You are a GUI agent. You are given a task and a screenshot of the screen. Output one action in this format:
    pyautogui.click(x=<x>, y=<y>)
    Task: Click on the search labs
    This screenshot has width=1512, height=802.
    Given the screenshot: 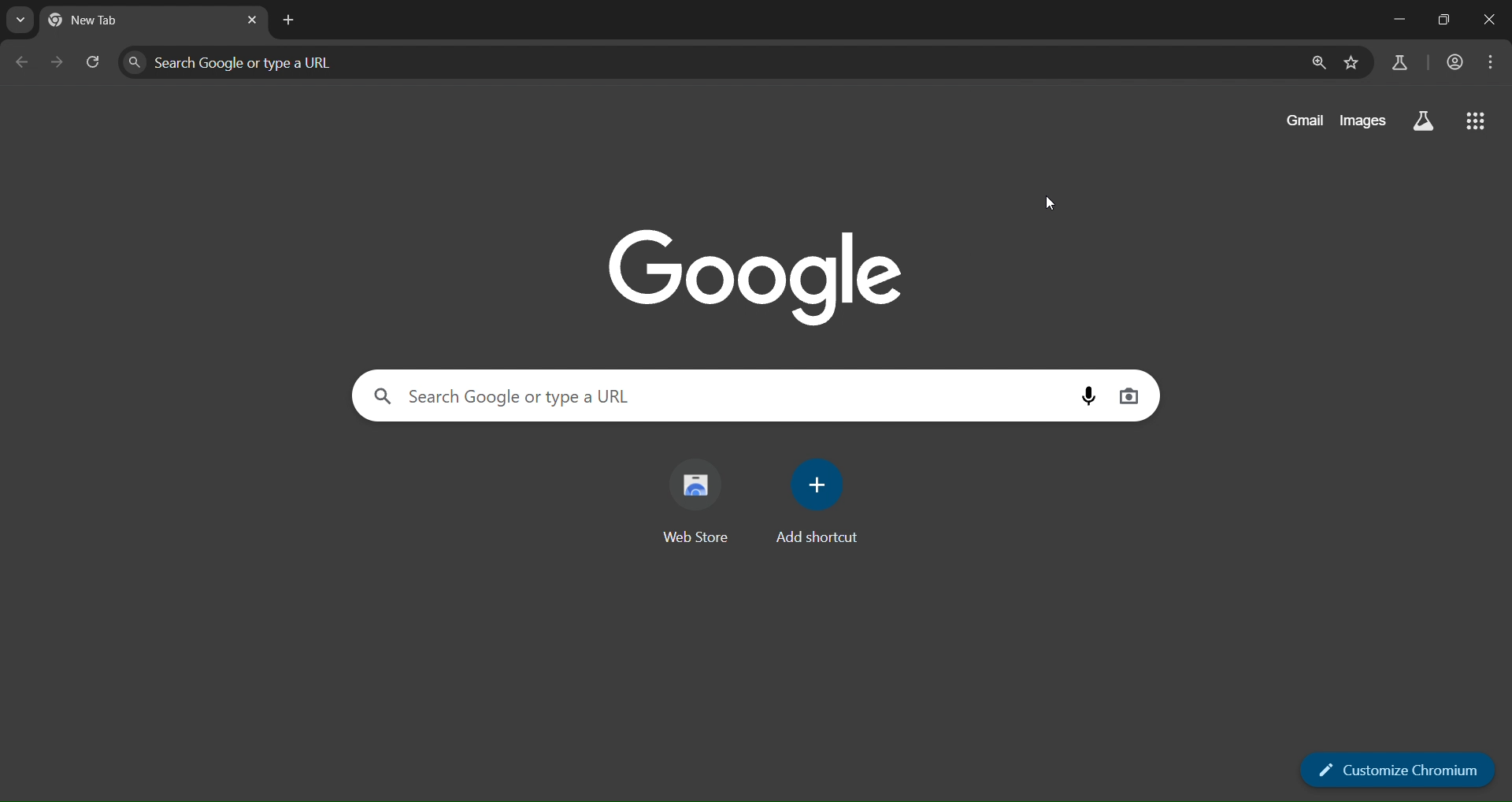 What is the action you would take?
    pyautogui.click(x=1399, y=62)
    